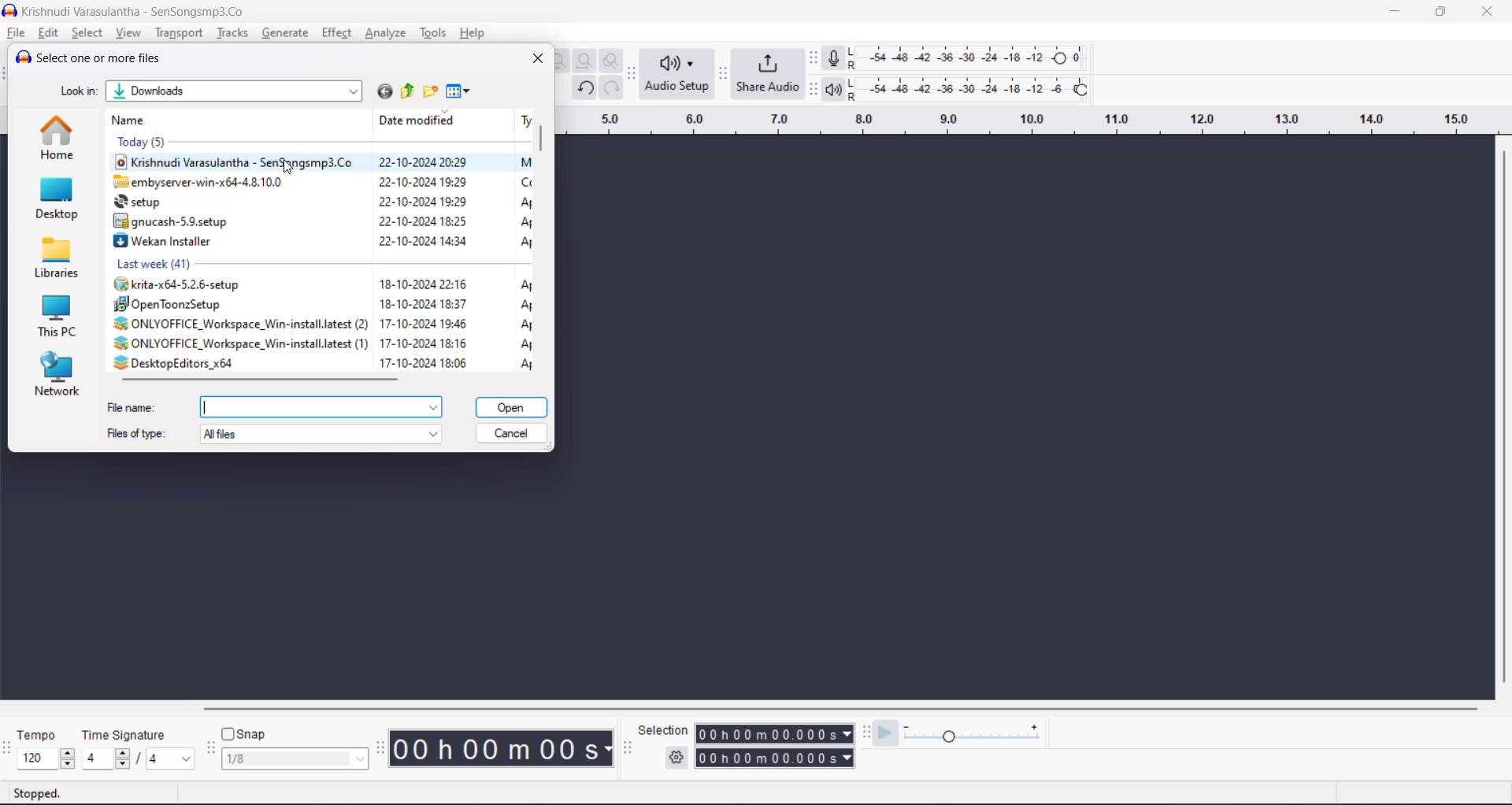 This screenshot has width=1512, height=805. What do you see at coordinates (614, 61) in the screenshot?
I see `zoom toggle` at bounding box center [614, 61].